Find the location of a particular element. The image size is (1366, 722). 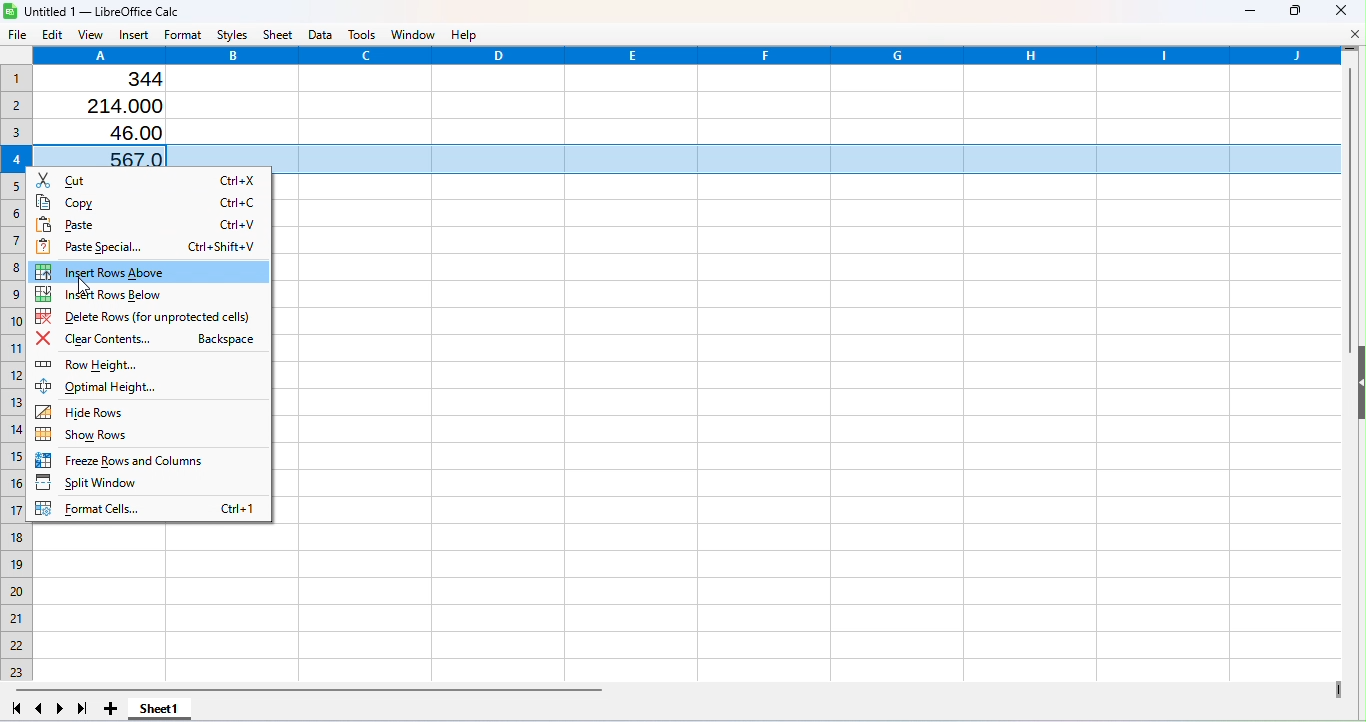

Format cells   Ctrl+1 is located at coordinates (149, 507).